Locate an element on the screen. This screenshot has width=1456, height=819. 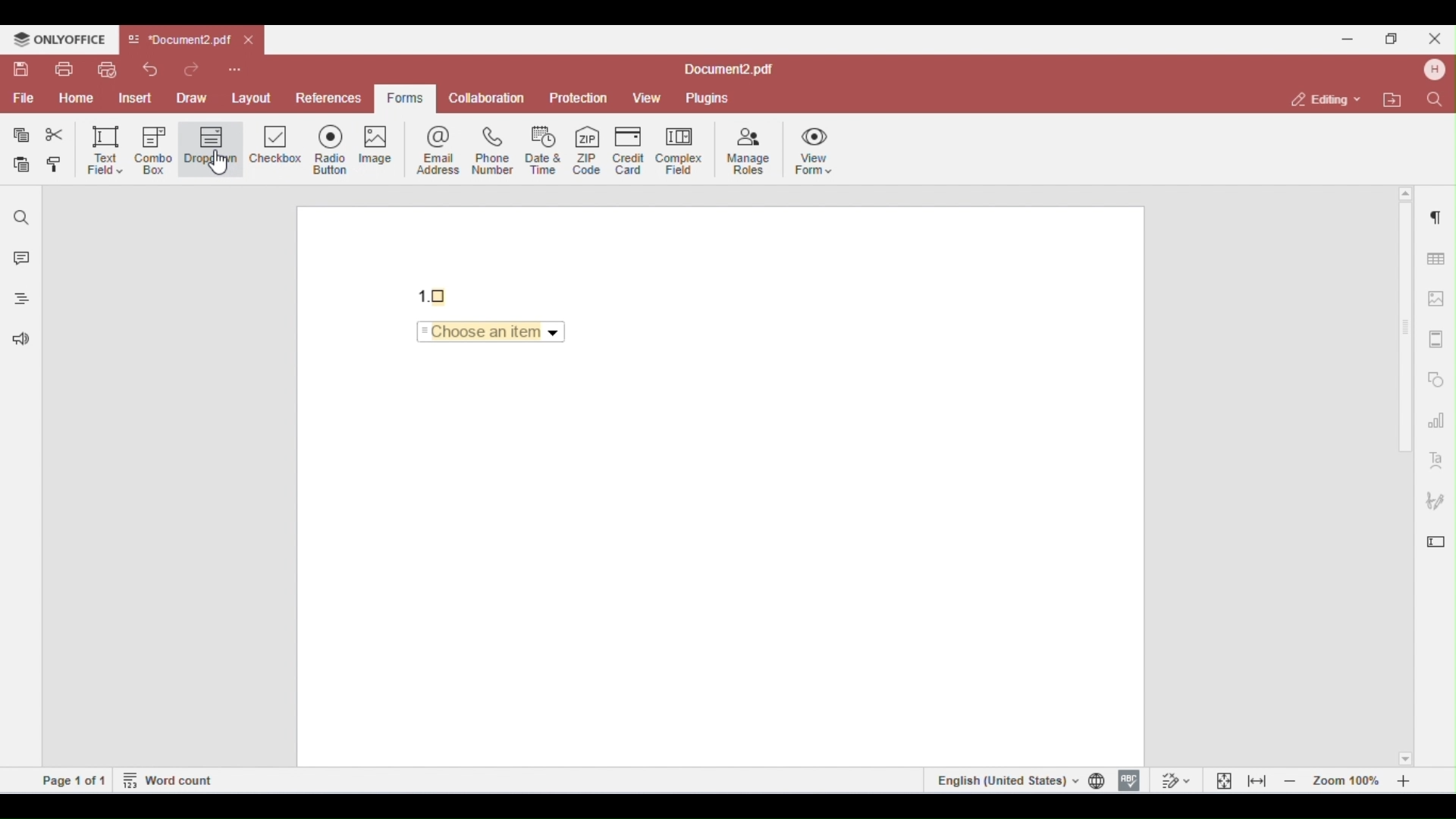
redo is located at coordinates (195, 68).